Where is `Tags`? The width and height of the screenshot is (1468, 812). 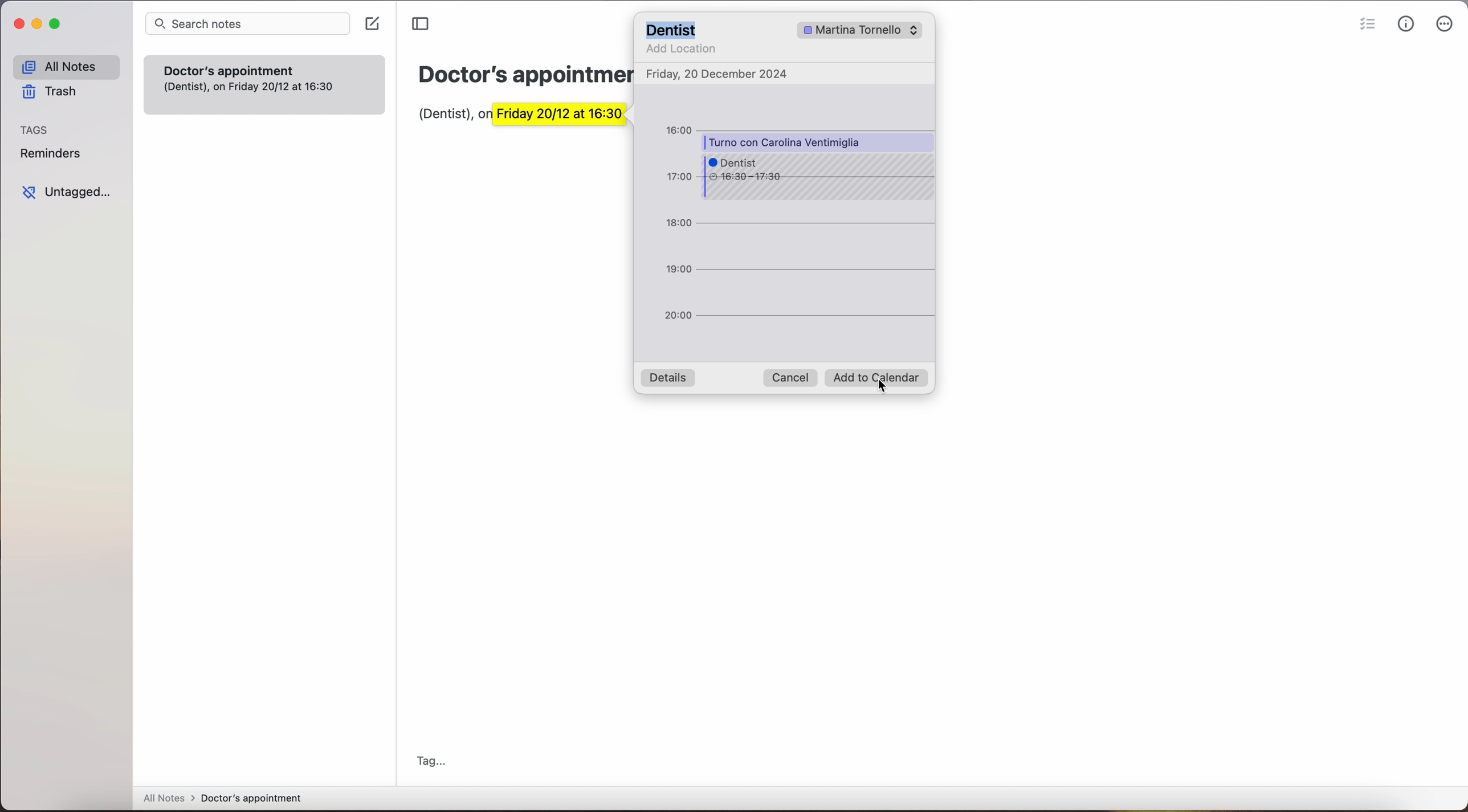
Tags is located at coordinates (36, 130).